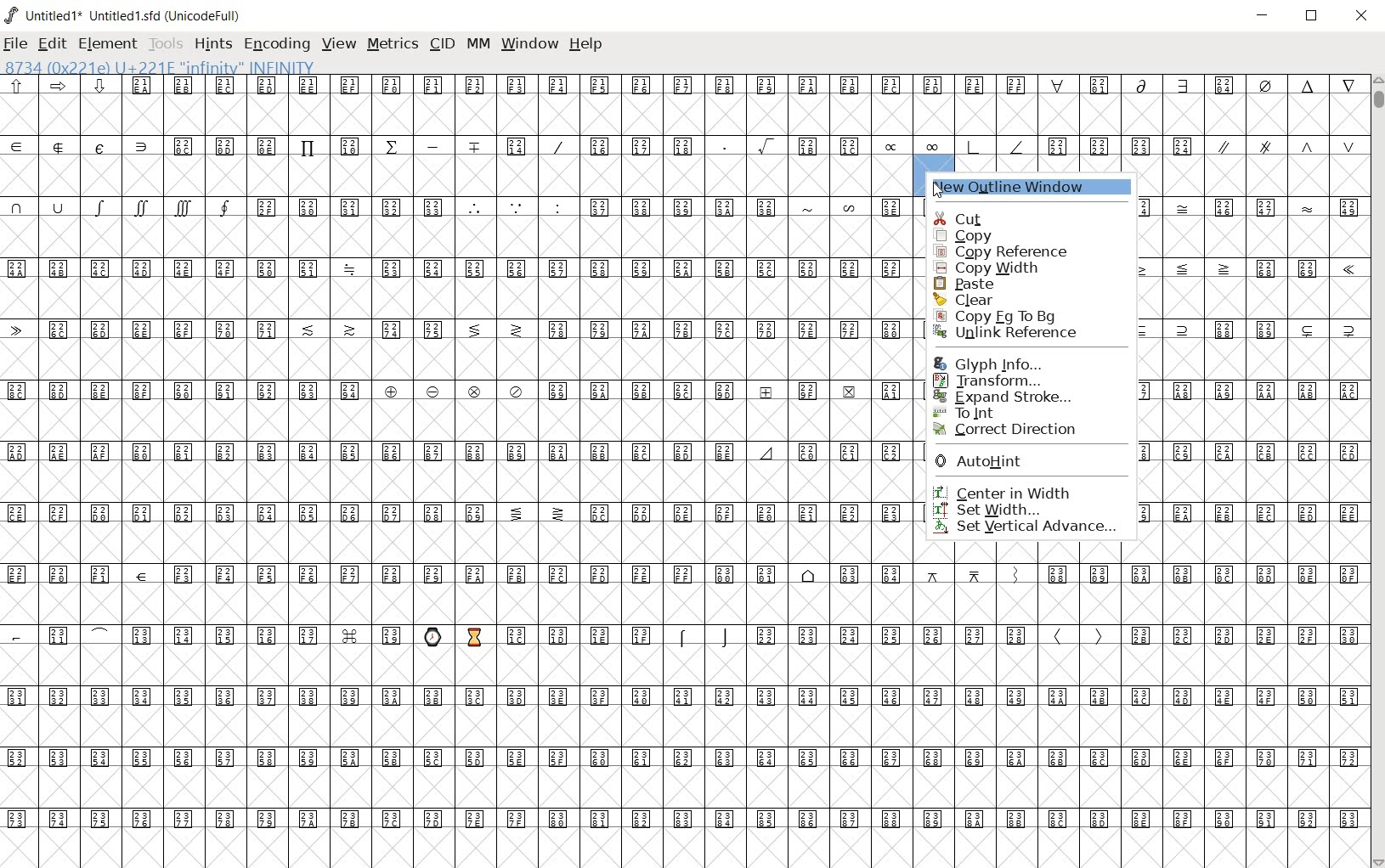  I want to click on empty glyph slots, so click(1256, 483).